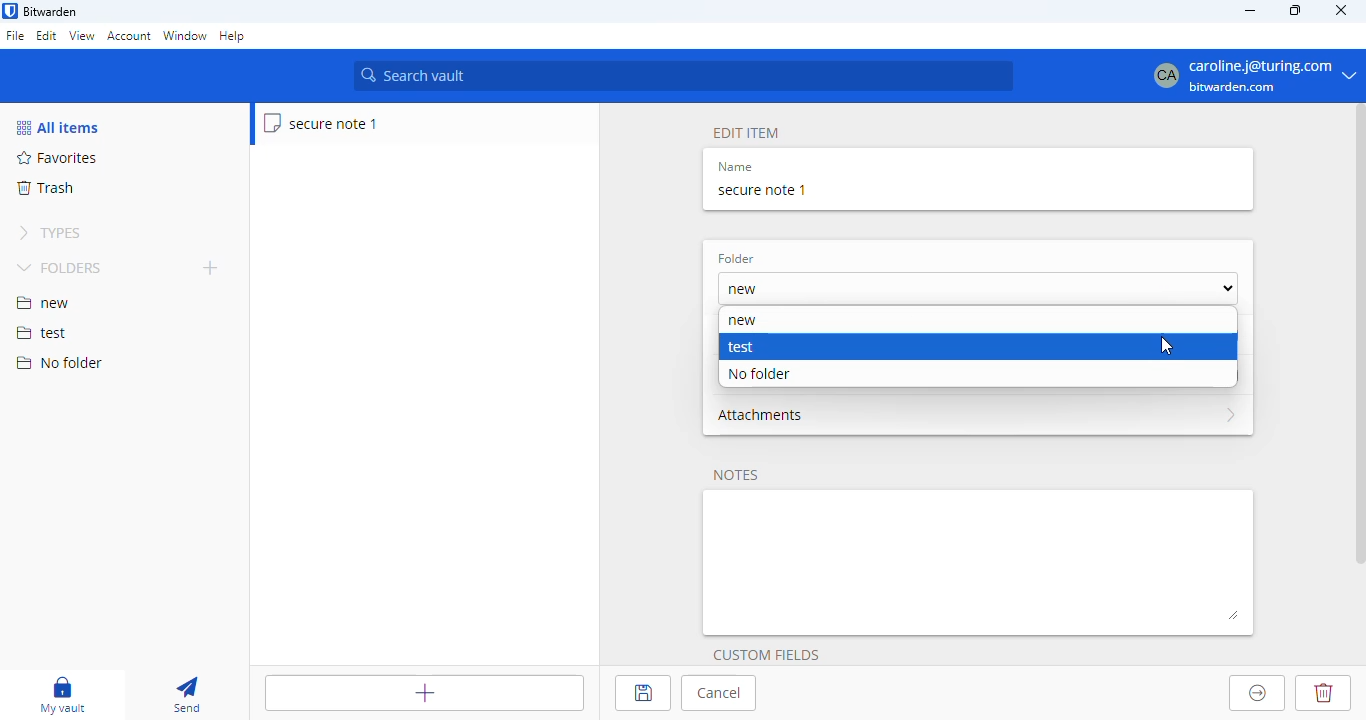 The height and width of the screenshot is (720, 1366). What do you see at coordinates (977, 288) in the screenshot?
I see `new` at bounding box center [977, 288].